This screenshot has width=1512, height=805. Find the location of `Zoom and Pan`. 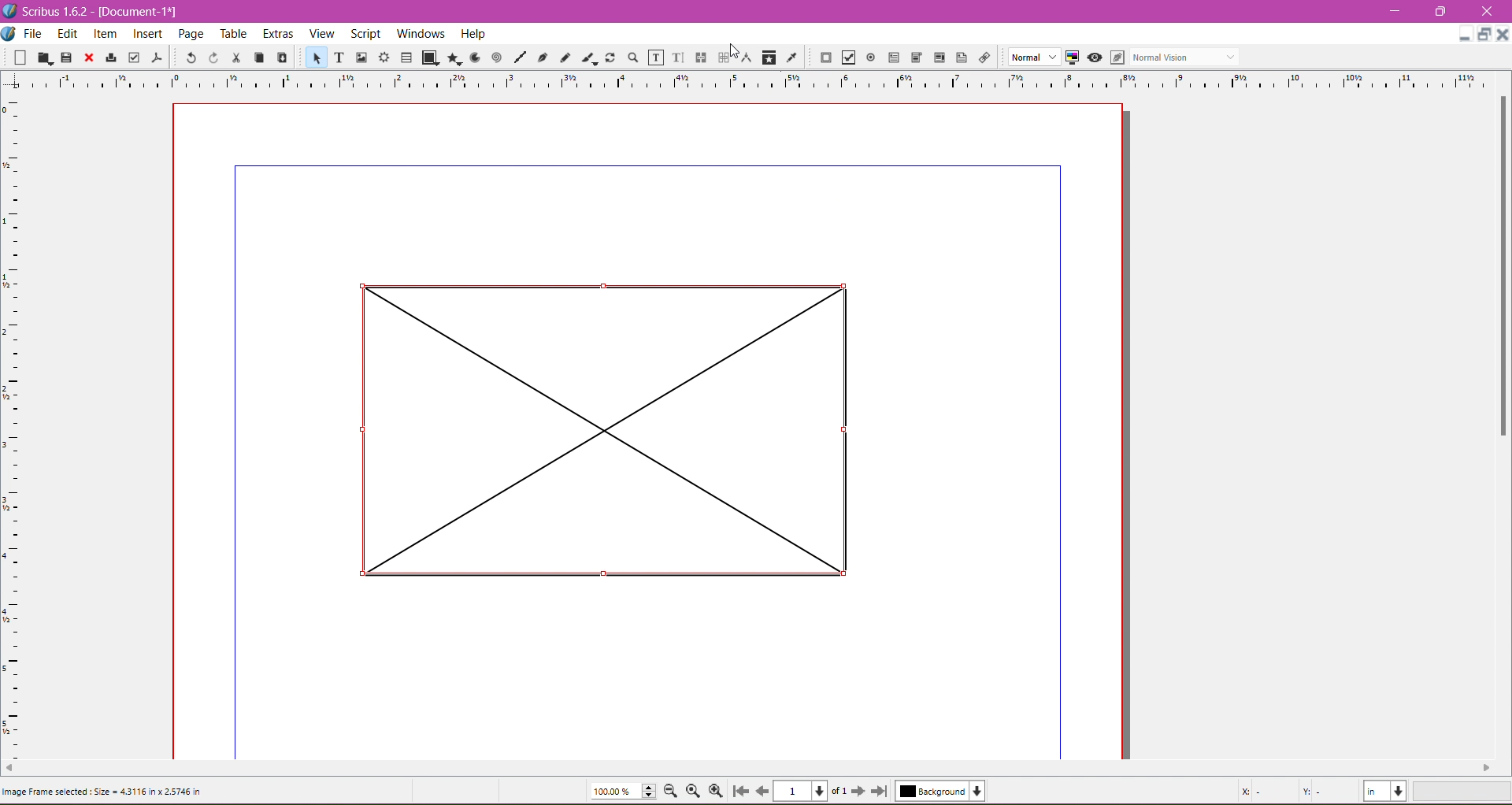

Zoom and Pan is located at coordinates (632, 58).